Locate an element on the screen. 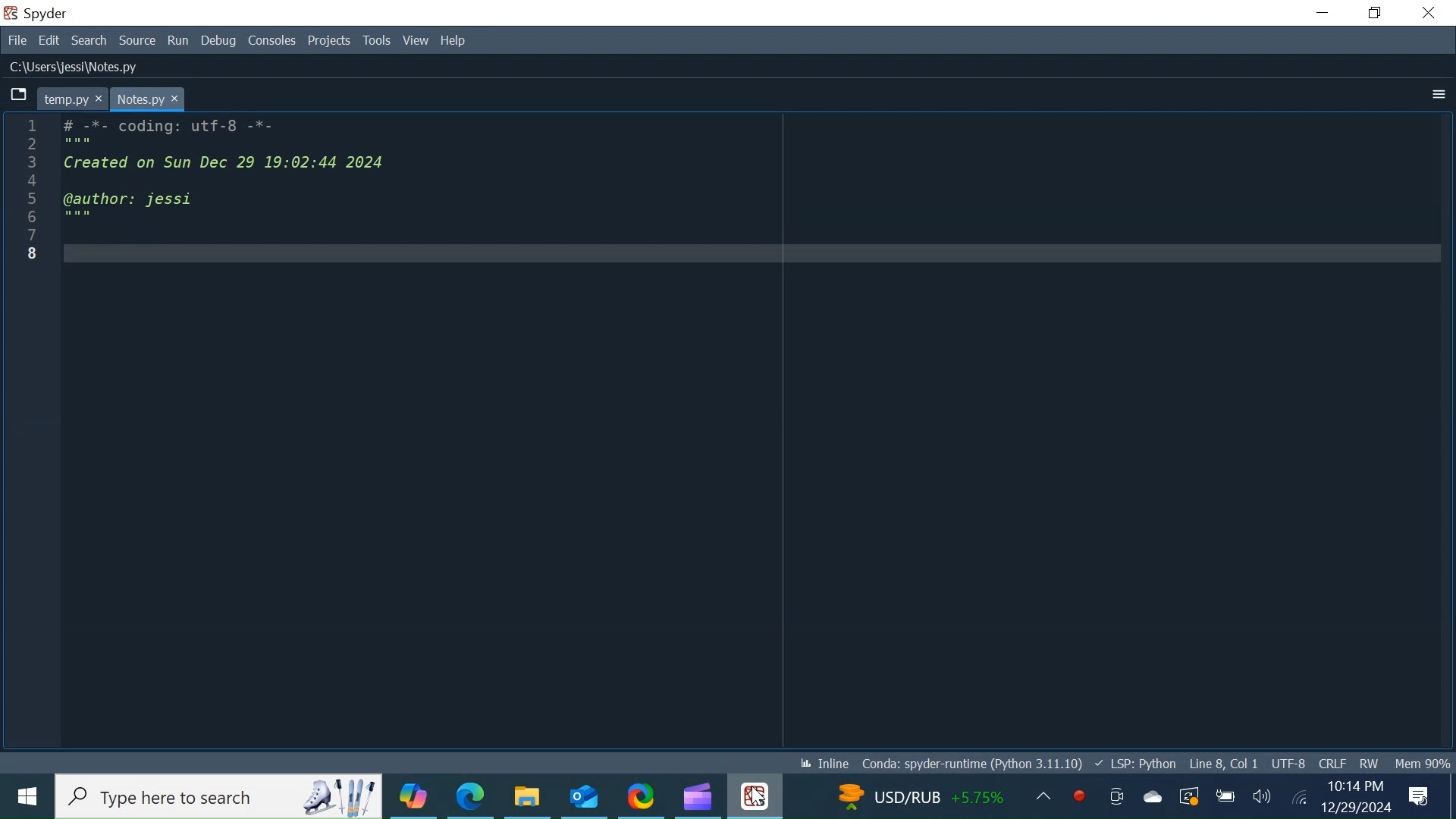 Image resolution: width=1456 pixels, height=819 pixels. Line 8, Col 1 is located at coordinates (1224, 761).